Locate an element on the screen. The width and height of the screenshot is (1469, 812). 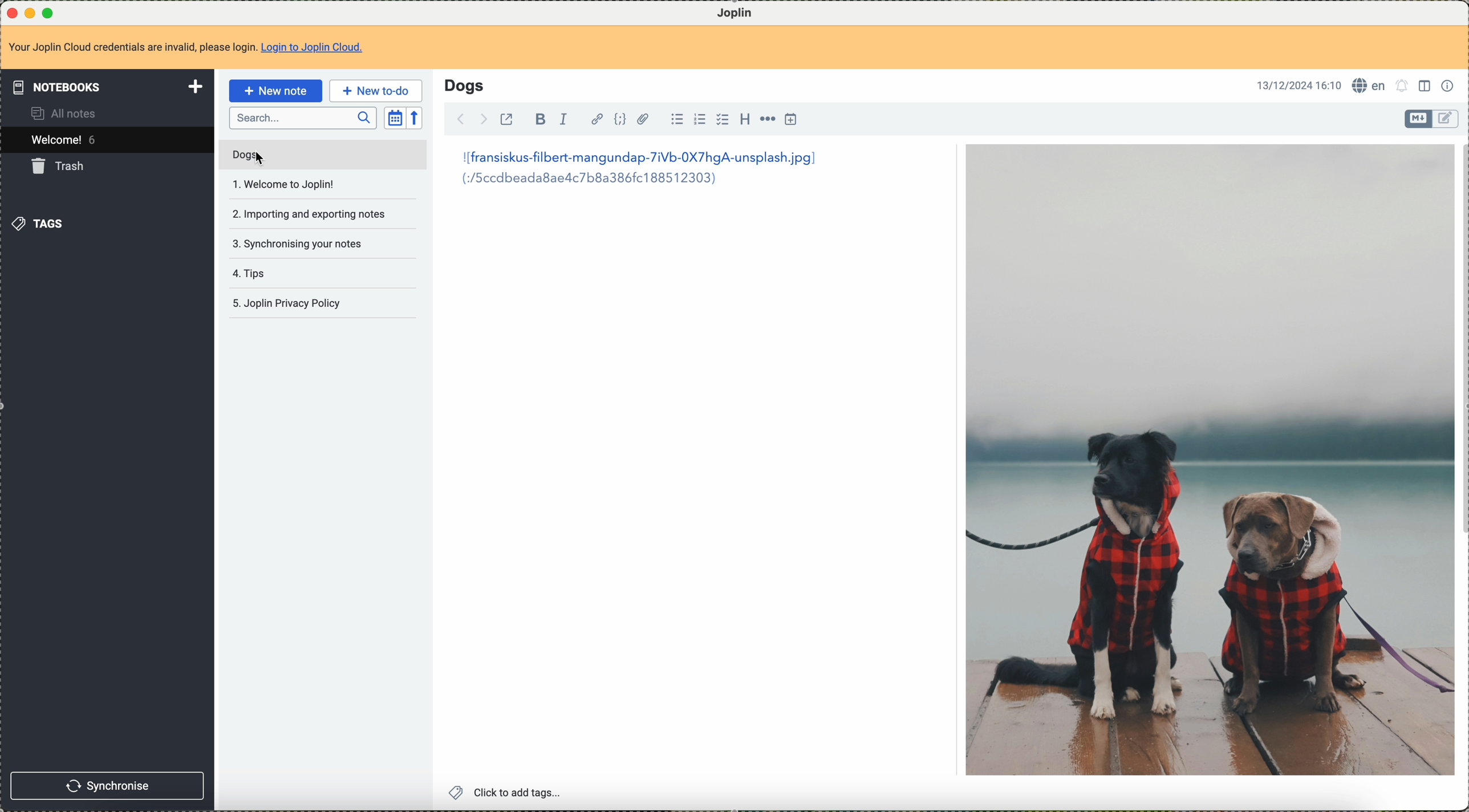
click to add tags is located at coordinates (507, 793).